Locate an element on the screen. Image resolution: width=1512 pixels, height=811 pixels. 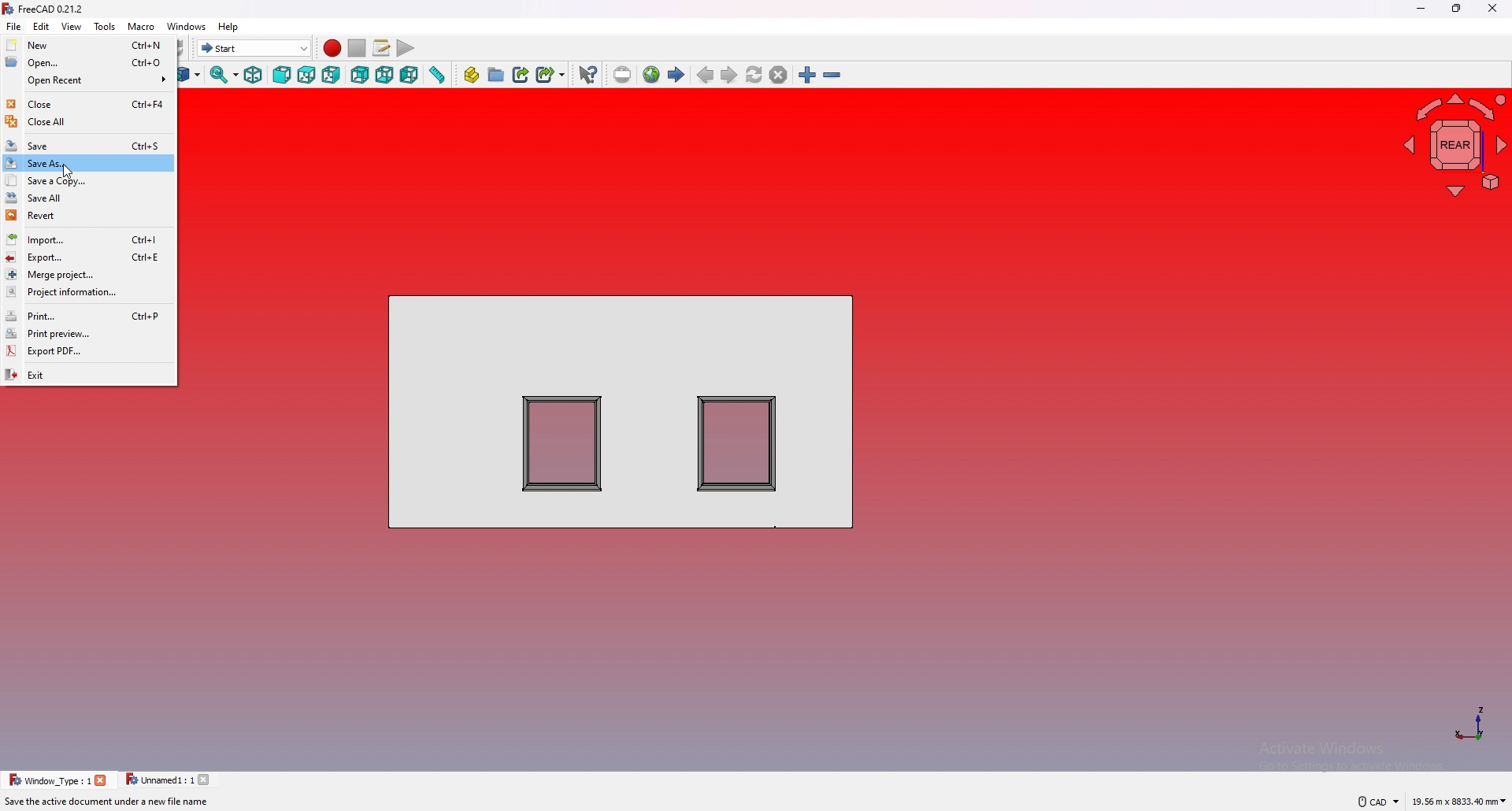
front is located at coordinates (283, 74).